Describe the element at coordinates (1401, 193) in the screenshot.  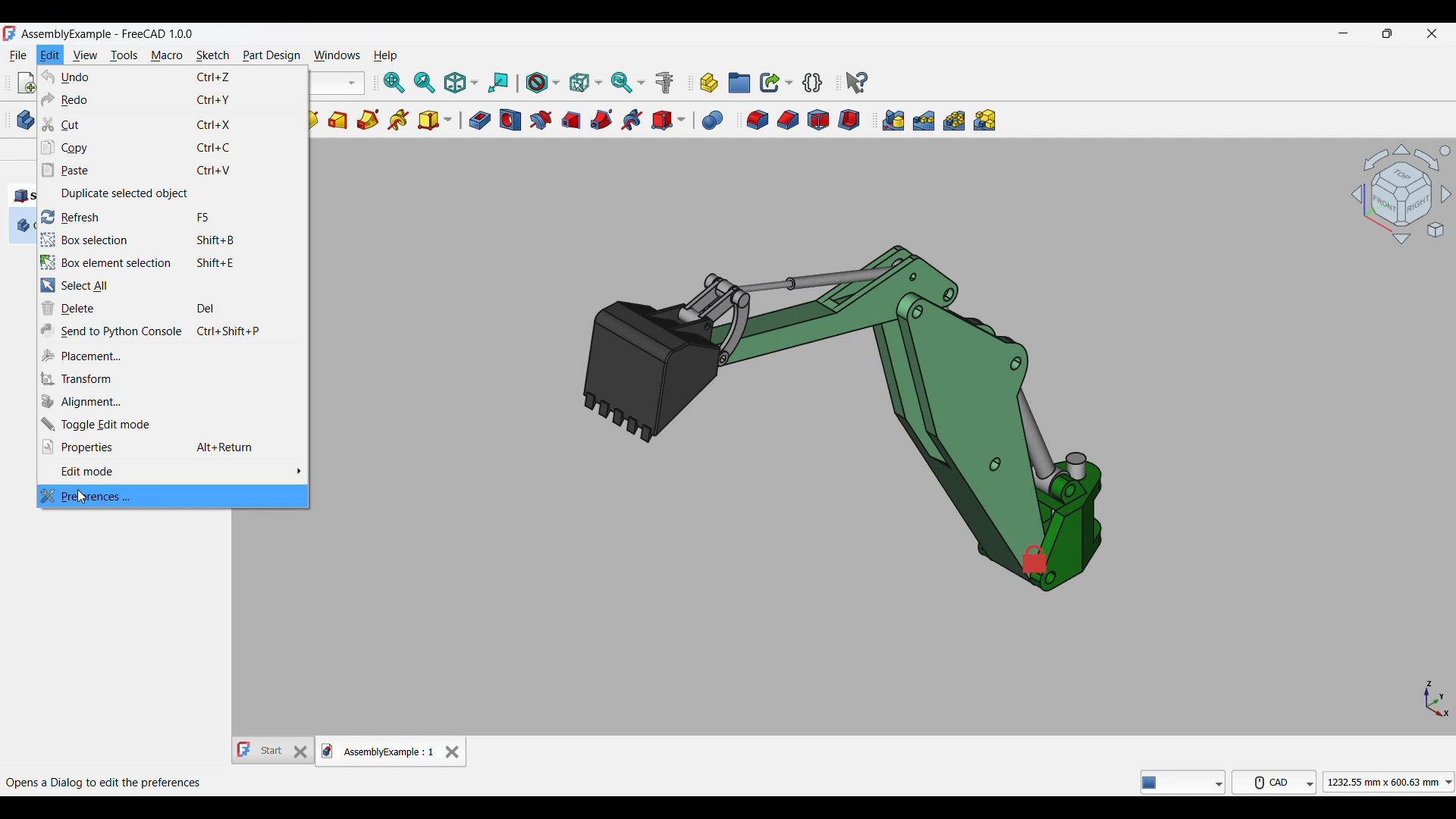
I see `Canvas navigation` at that location.